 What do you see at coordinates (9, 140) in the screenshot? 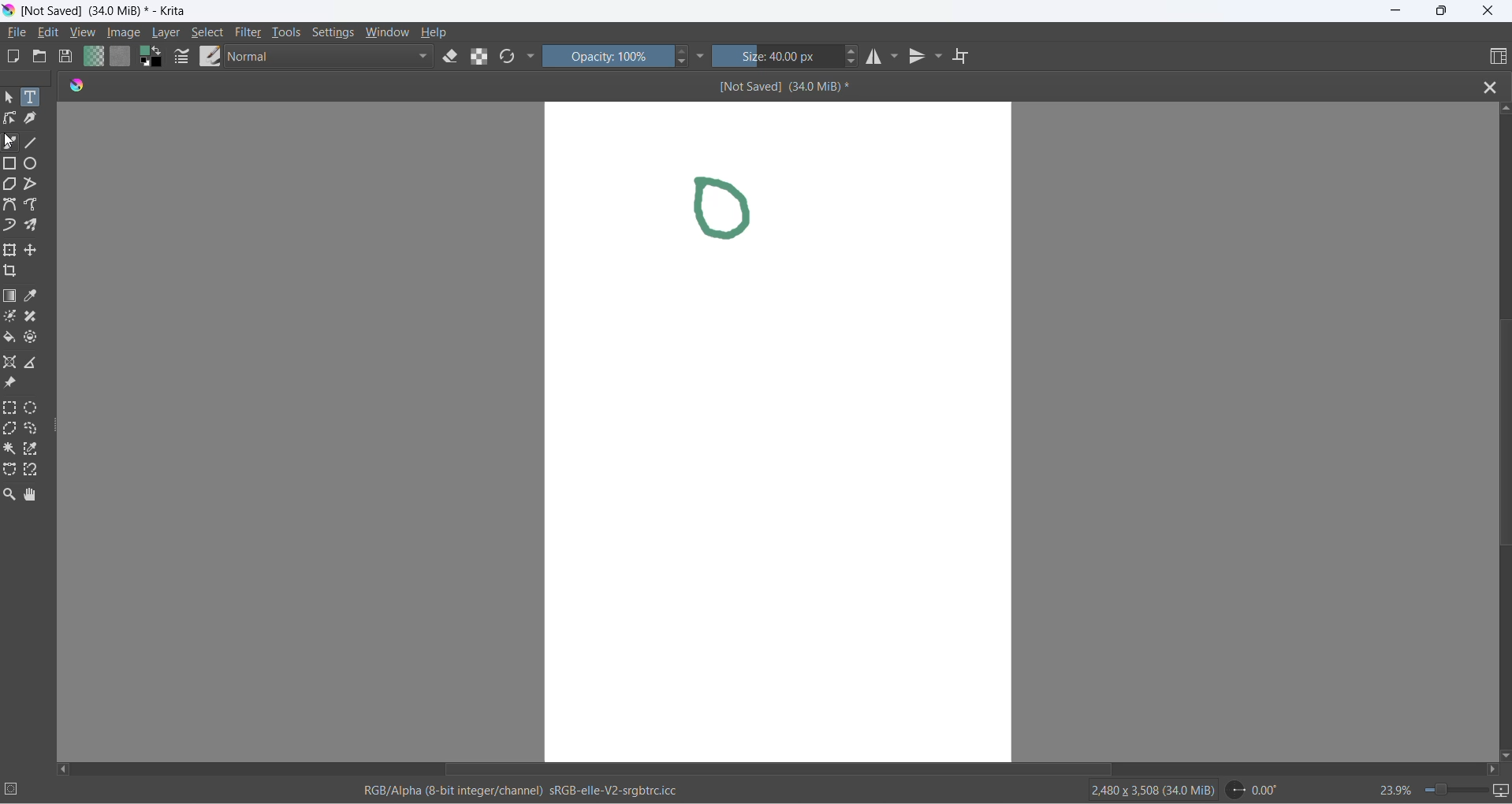
I see `cursor` at bounding box center [9, 140].